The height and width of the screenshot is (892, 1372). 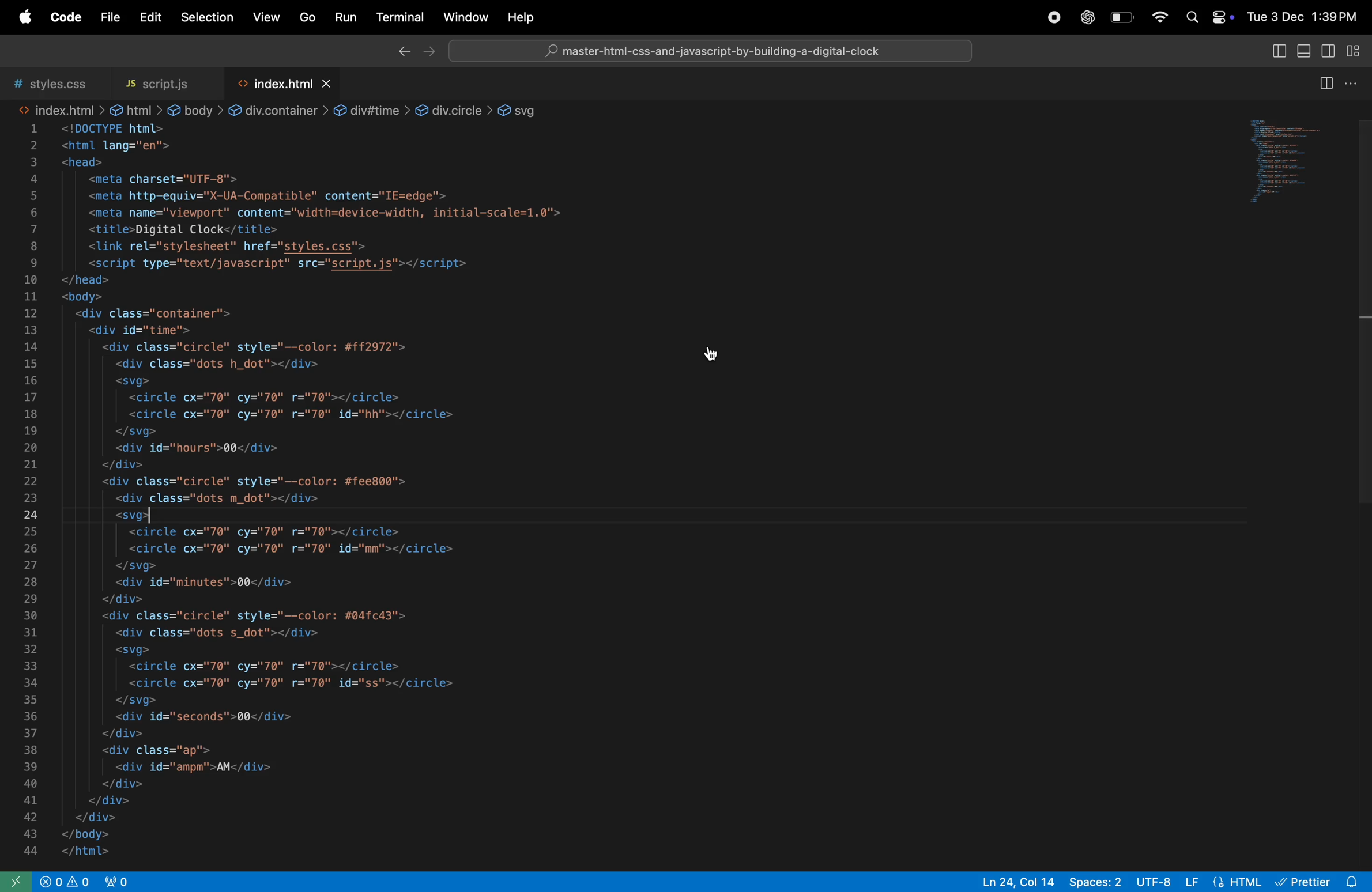 What do you see at coordinates (265, 110) in the screenshot?
I see `div.container` at bounding box center [265, 110].